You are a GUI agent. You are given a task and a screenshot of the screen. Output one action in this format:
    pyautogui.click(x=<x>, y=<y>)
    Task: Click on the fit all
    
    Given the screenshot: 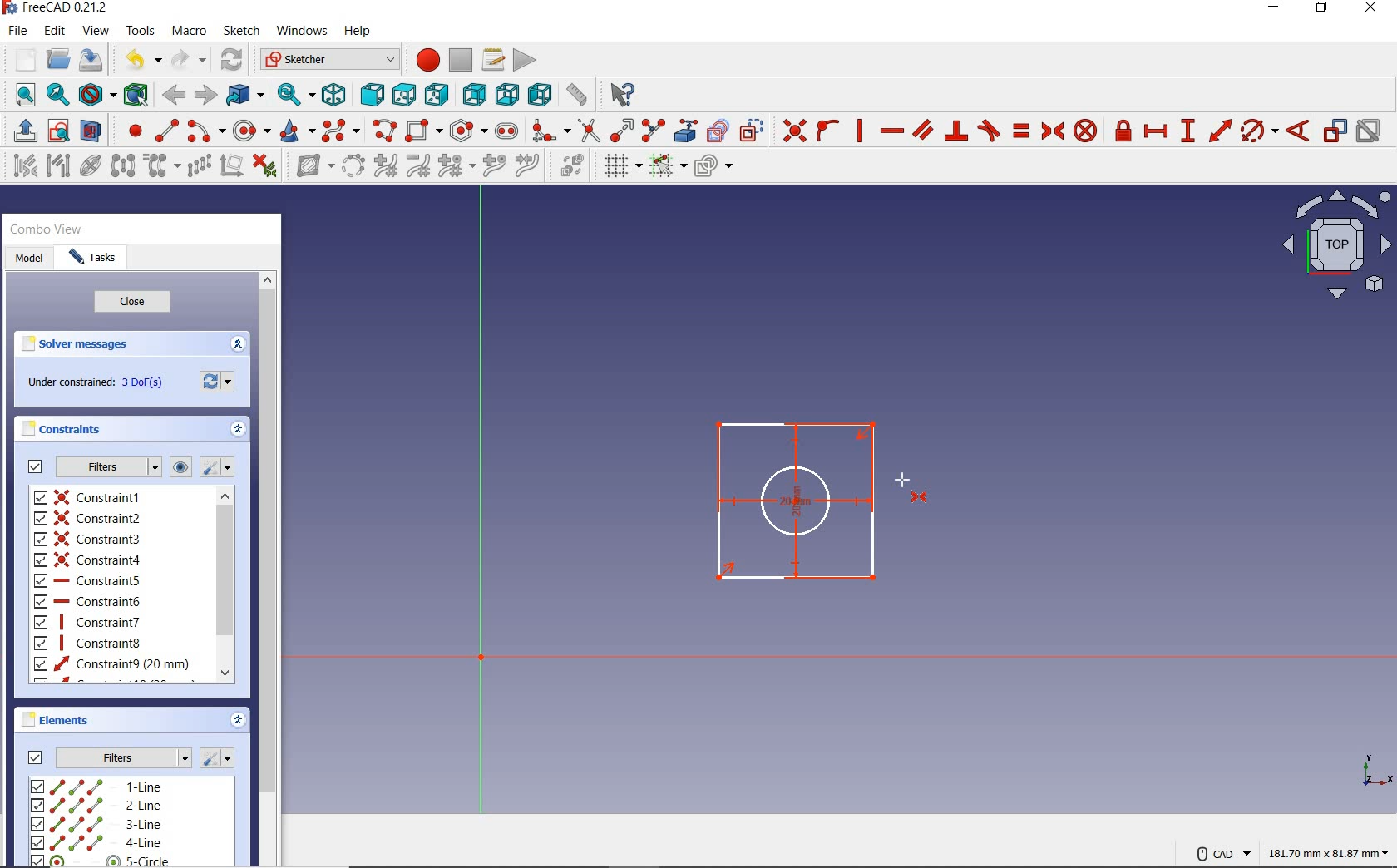 What is the action you would take?
    pyautogui.click(x=20, y=96)
    